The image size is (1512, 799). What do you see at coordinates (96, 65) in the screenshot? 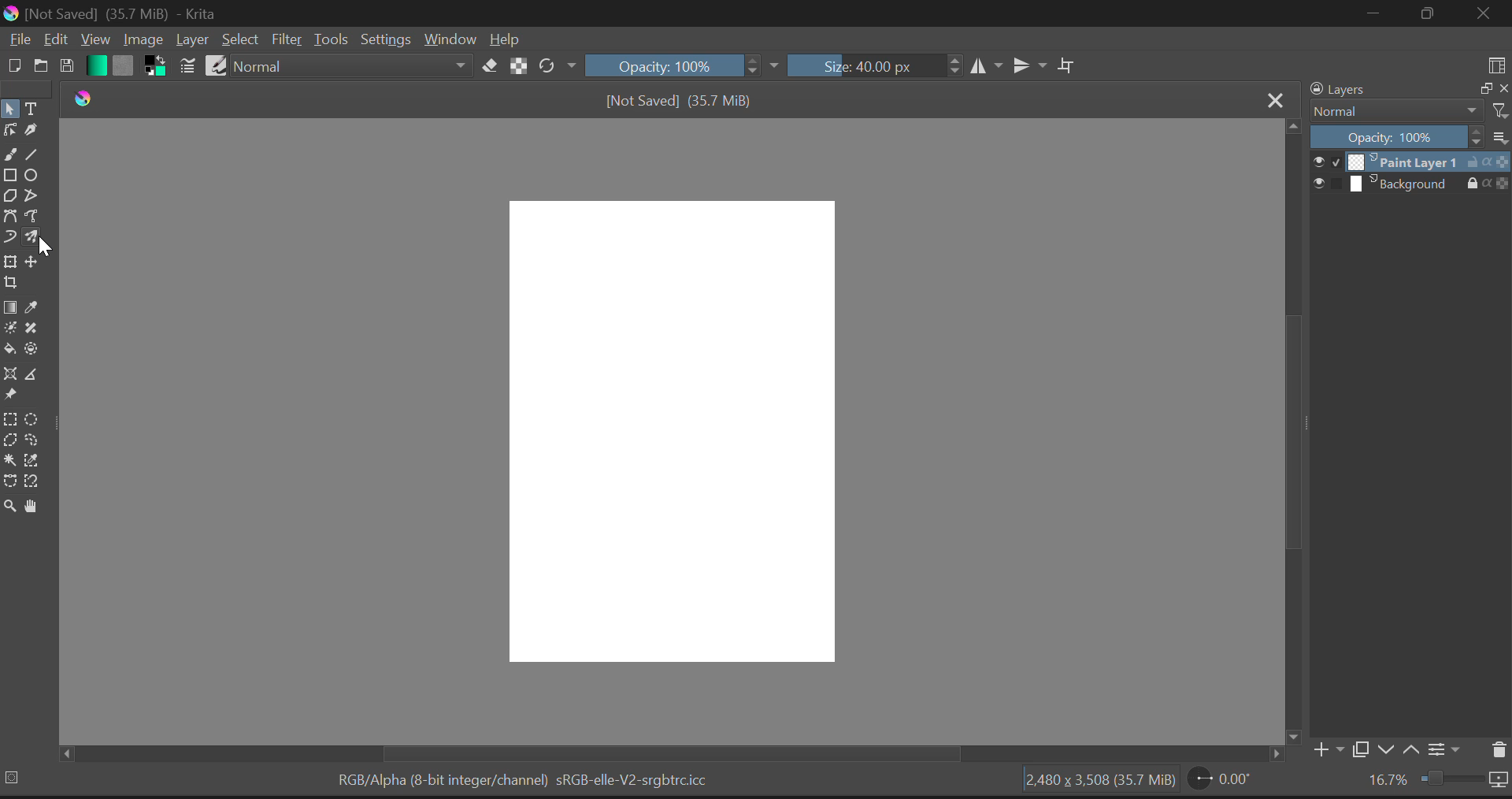
I see `Gradient` at bounding box center [96, 65].